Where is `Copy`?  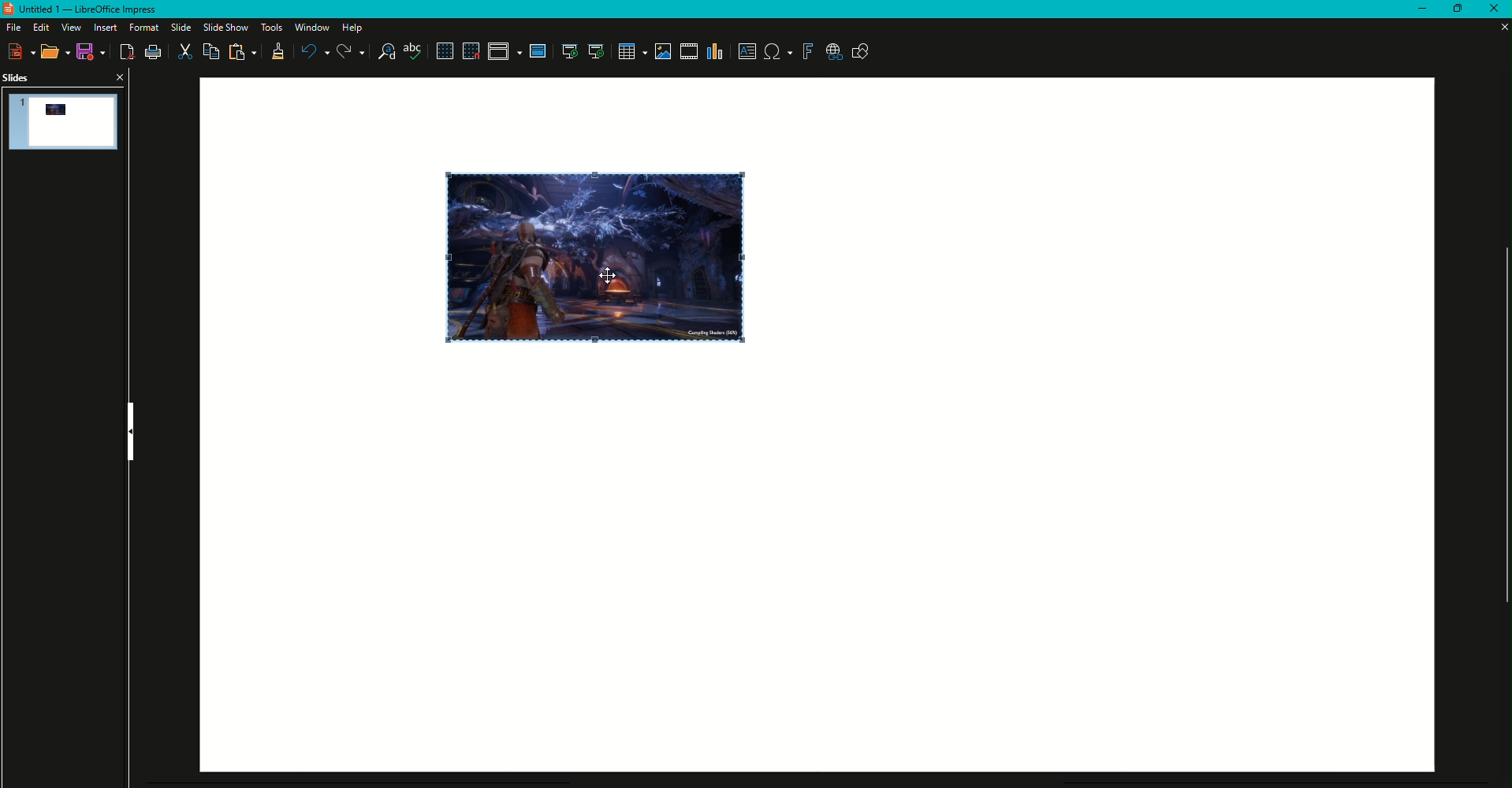
Copy is located at coordinates (210, 52).